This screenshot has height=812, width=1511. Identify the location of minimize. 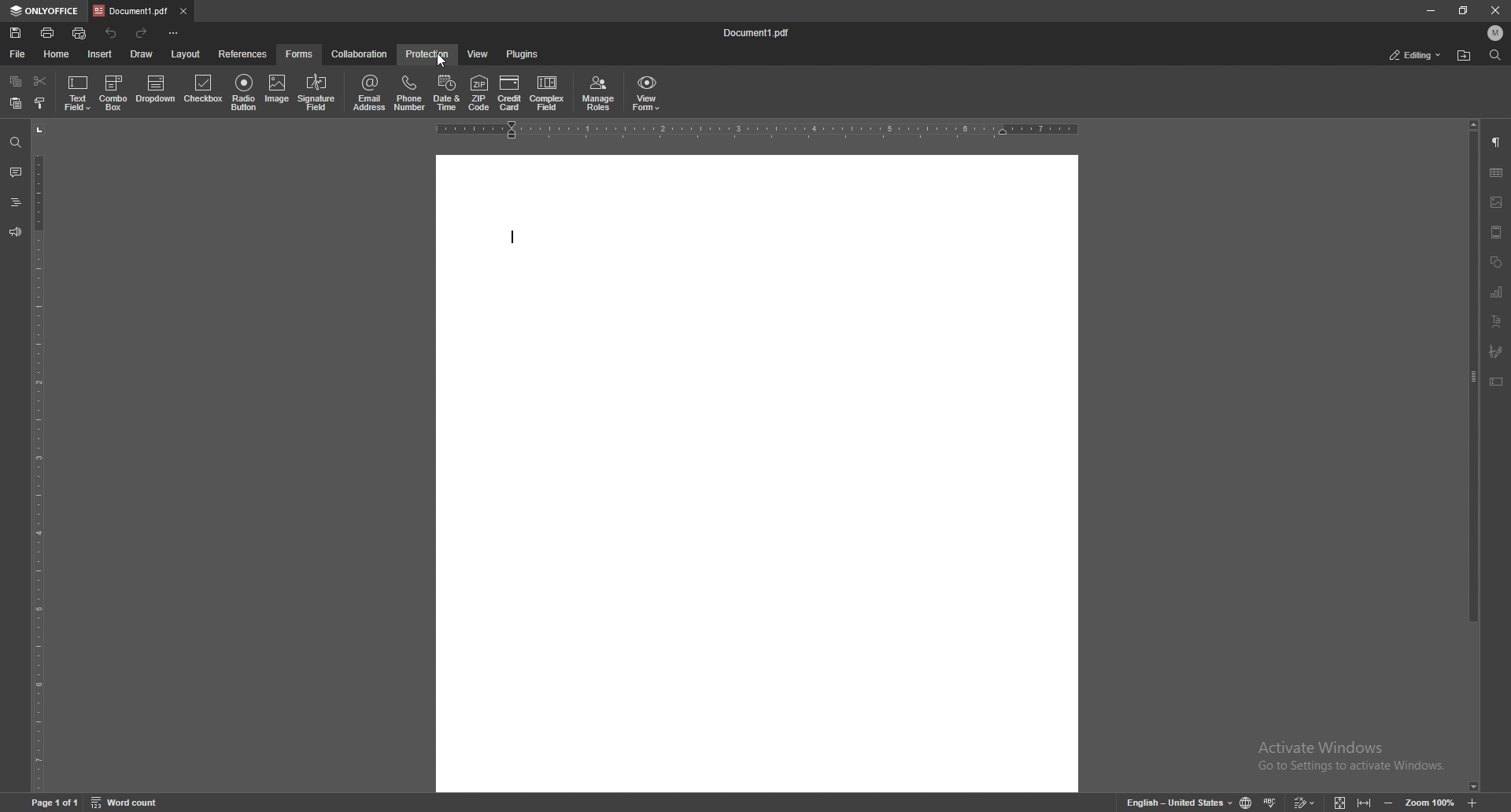
(1430, 10).